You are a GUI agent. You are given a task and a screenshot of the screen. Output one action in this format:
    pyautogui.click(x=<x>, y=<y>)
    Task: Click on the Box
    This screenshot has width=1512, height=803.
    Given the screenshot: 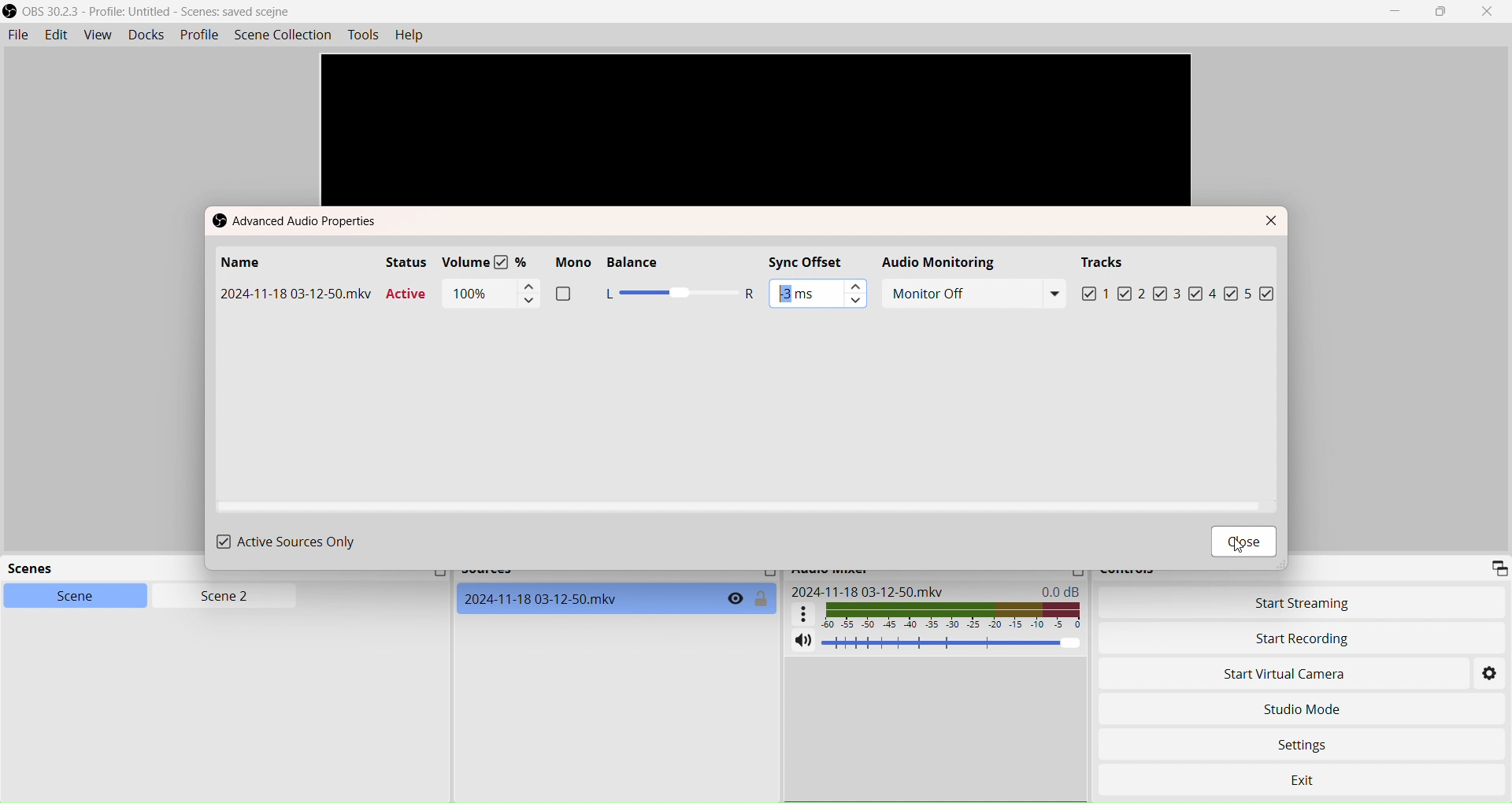 What is the action you would take?
    pyautogui.click(x=1444, y=12)
    